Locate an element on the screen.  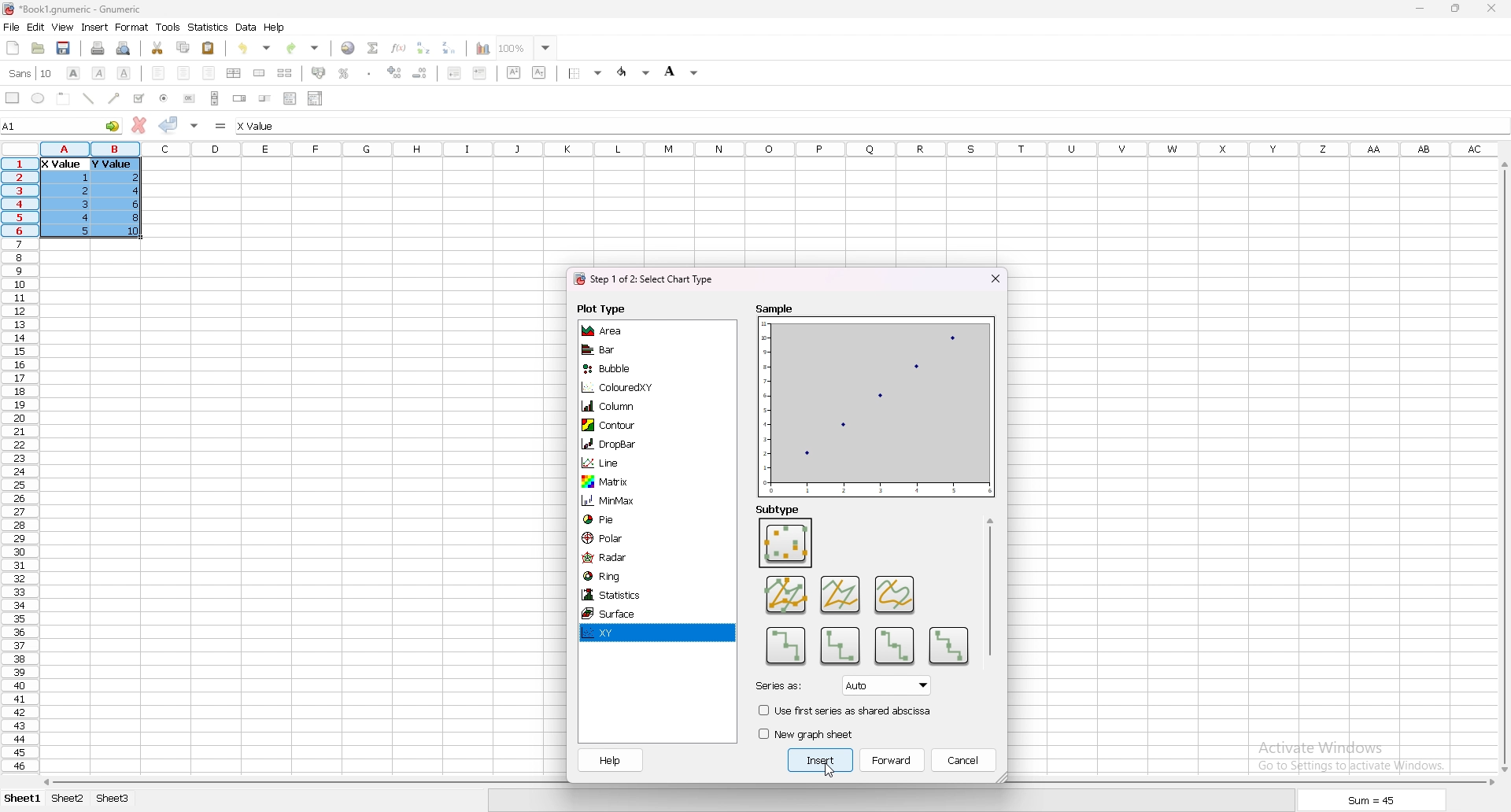
save is located at coordinates (63, 48).